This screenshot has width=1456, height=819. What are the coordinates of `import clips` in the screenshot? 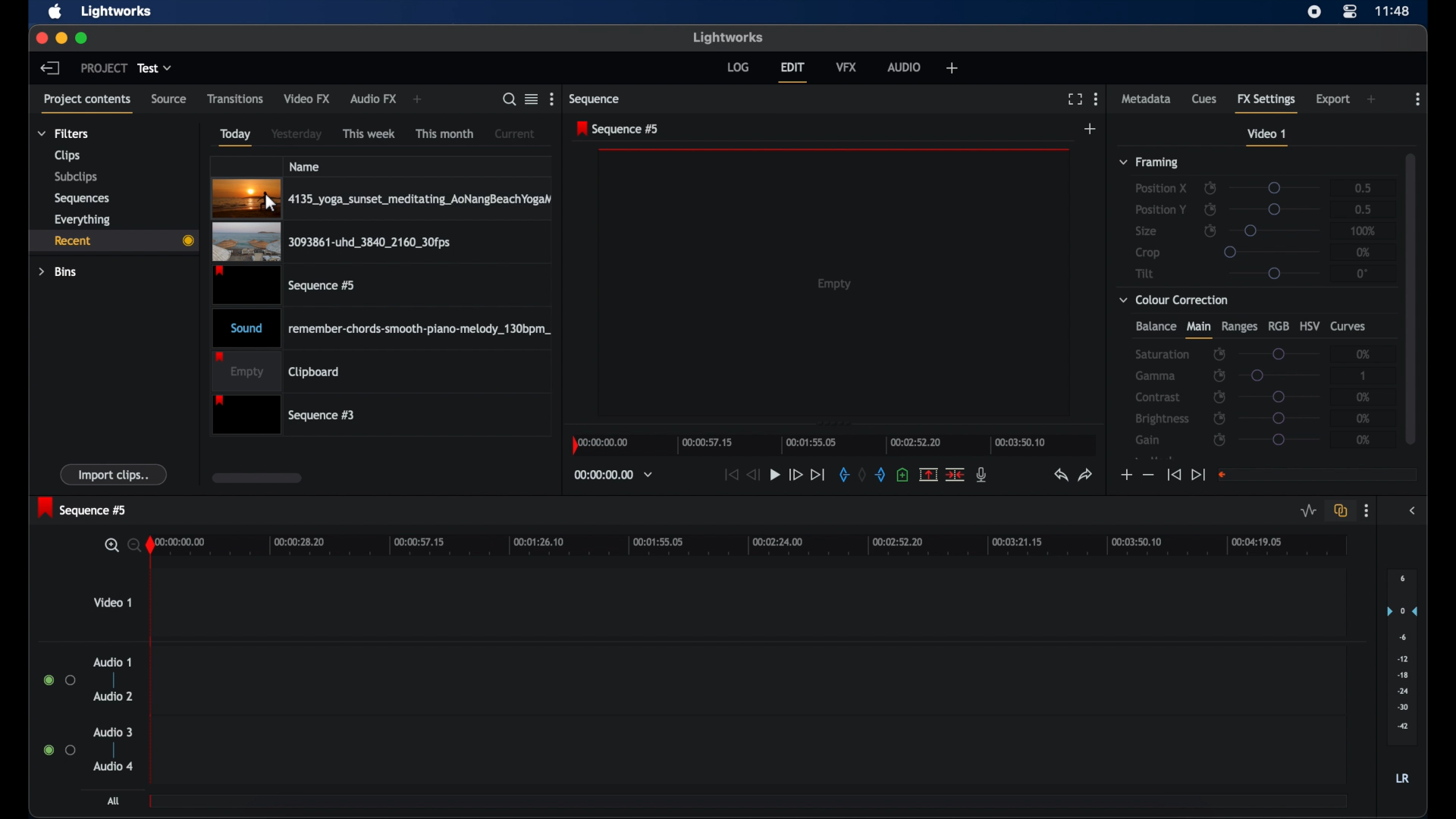 It's located at (115, 475).